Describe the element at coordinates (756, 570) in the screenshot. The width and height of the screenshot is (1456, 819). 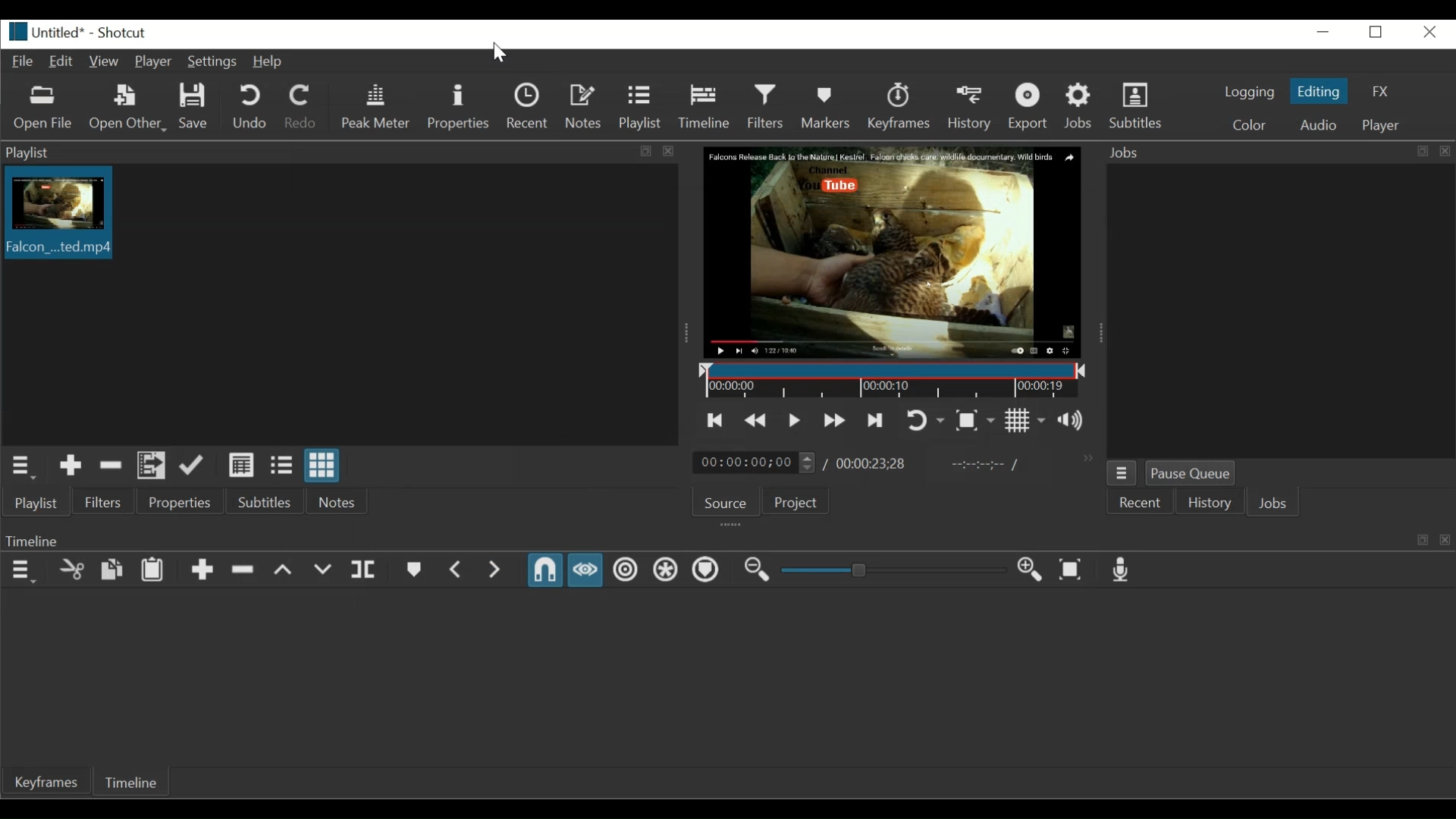
I see `Zoom Timeline out` at that location.